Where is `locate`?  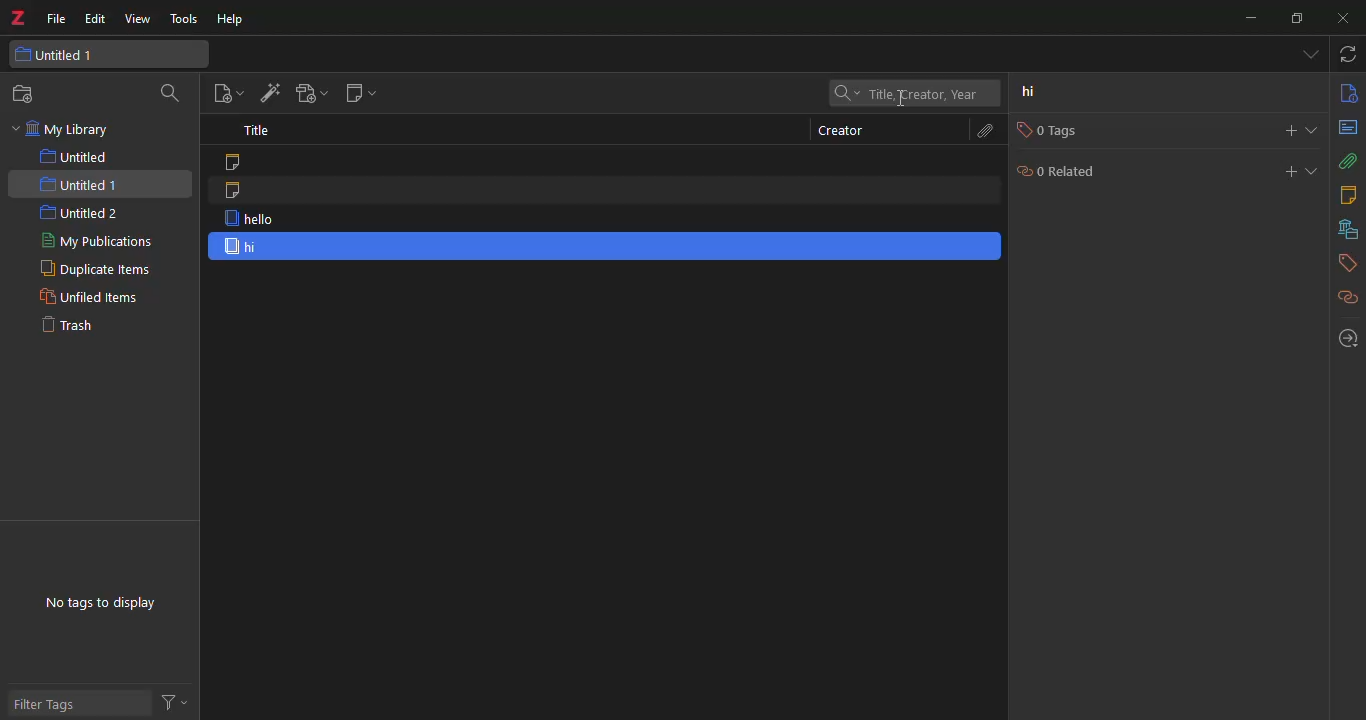
locate is located at coordinates (1344, 338).